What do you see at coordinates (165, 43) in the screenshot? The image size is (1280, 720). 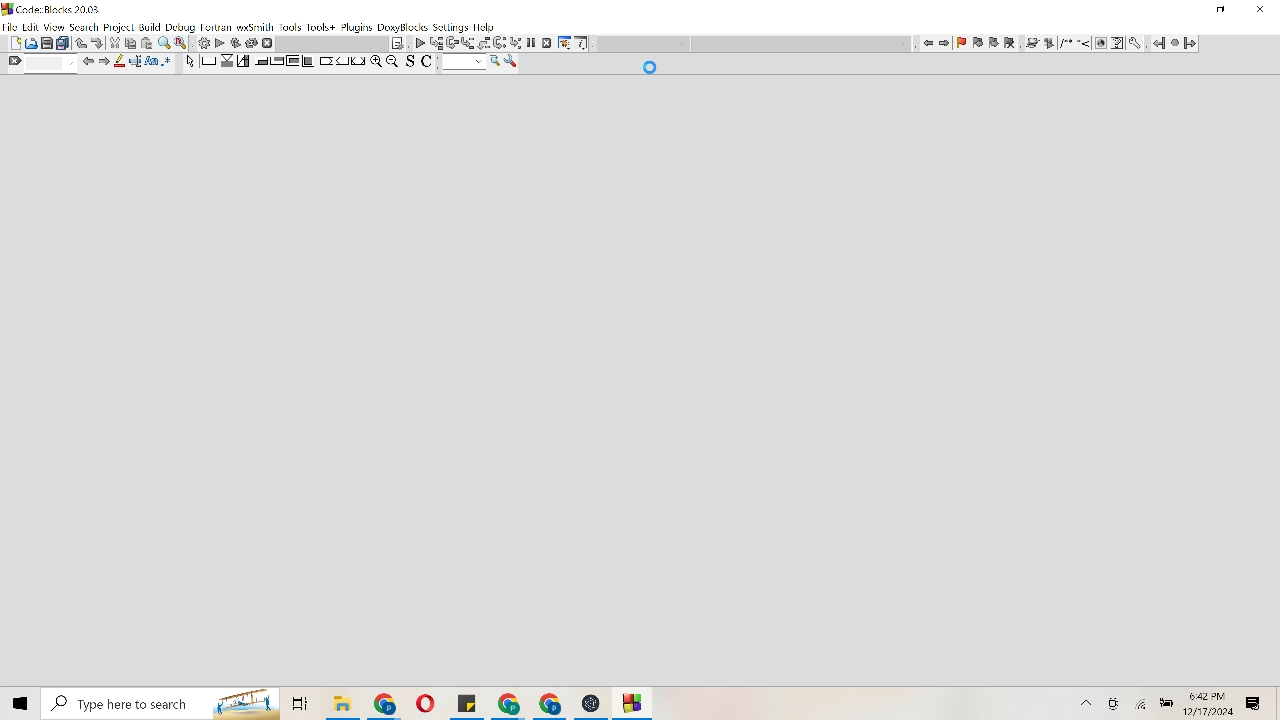 I see `Find` at bounding box center [165, 43].